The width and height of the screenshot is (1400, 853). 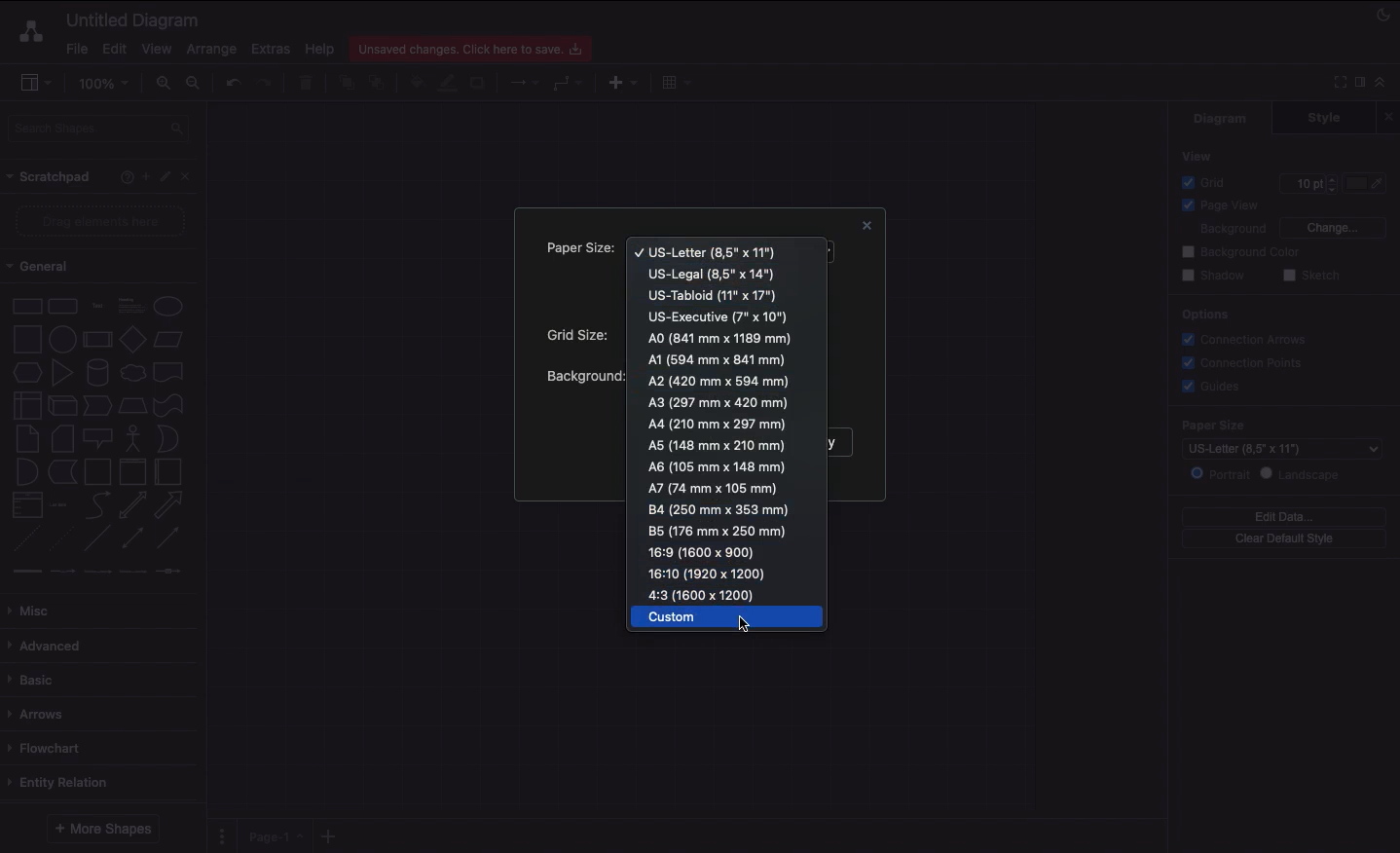 I want to click on B5, so click(x=718, y=531).